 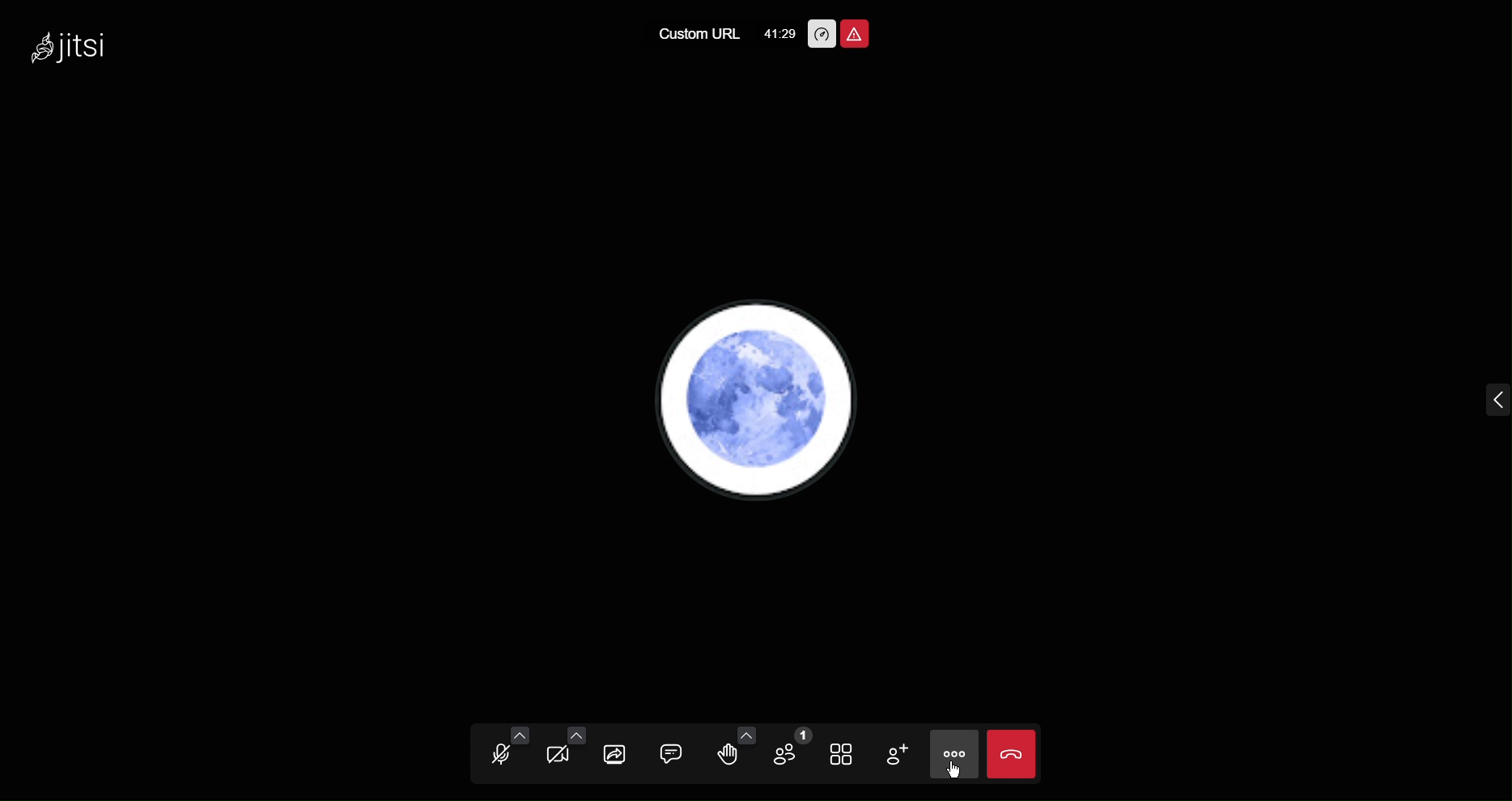 I want to click on Jitsi, so click(x=79, y=53).